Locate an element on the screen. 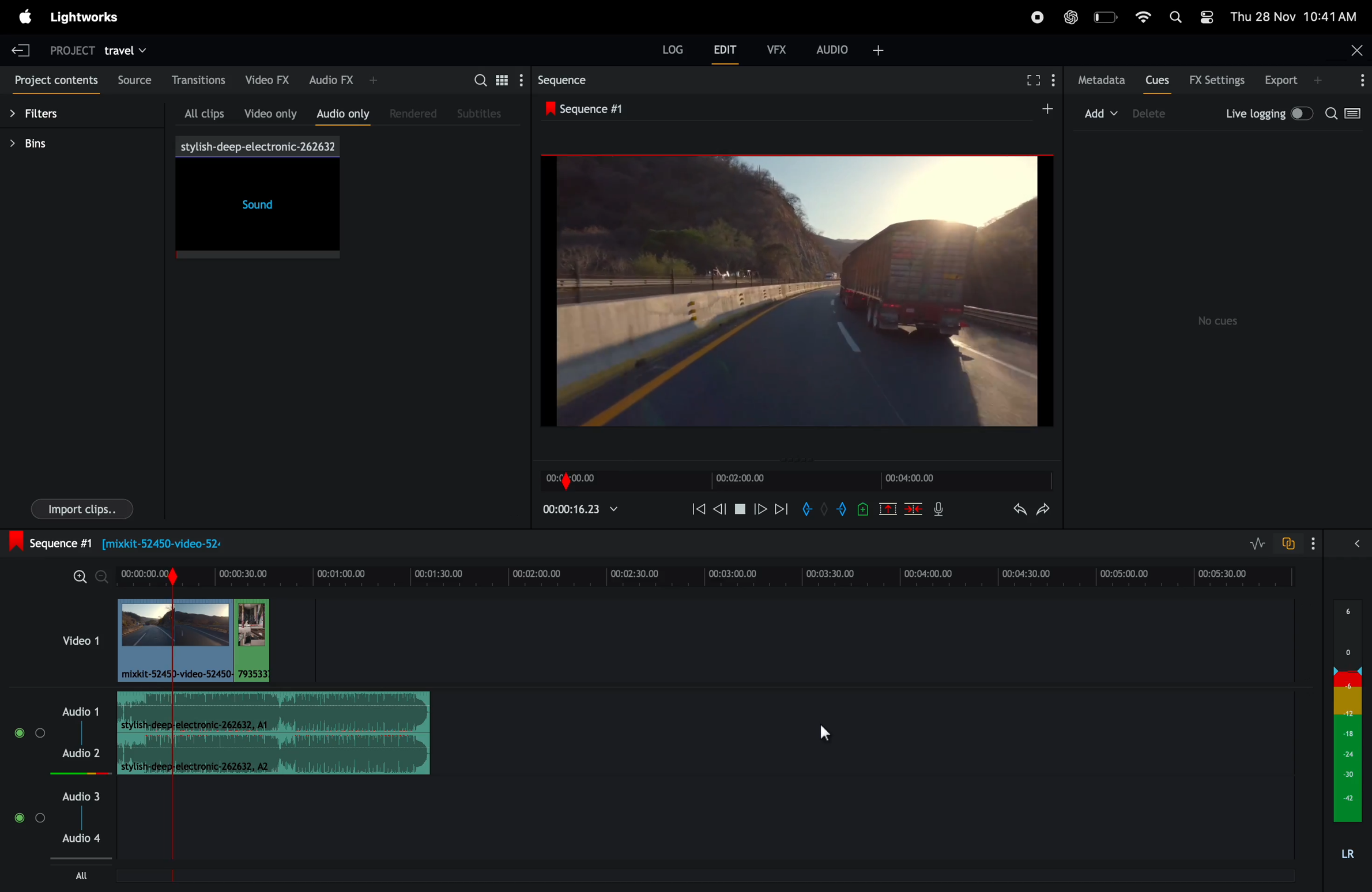 The width and height of the screenshot is (1372, 892). pause play is located at coordinates (740, 507).